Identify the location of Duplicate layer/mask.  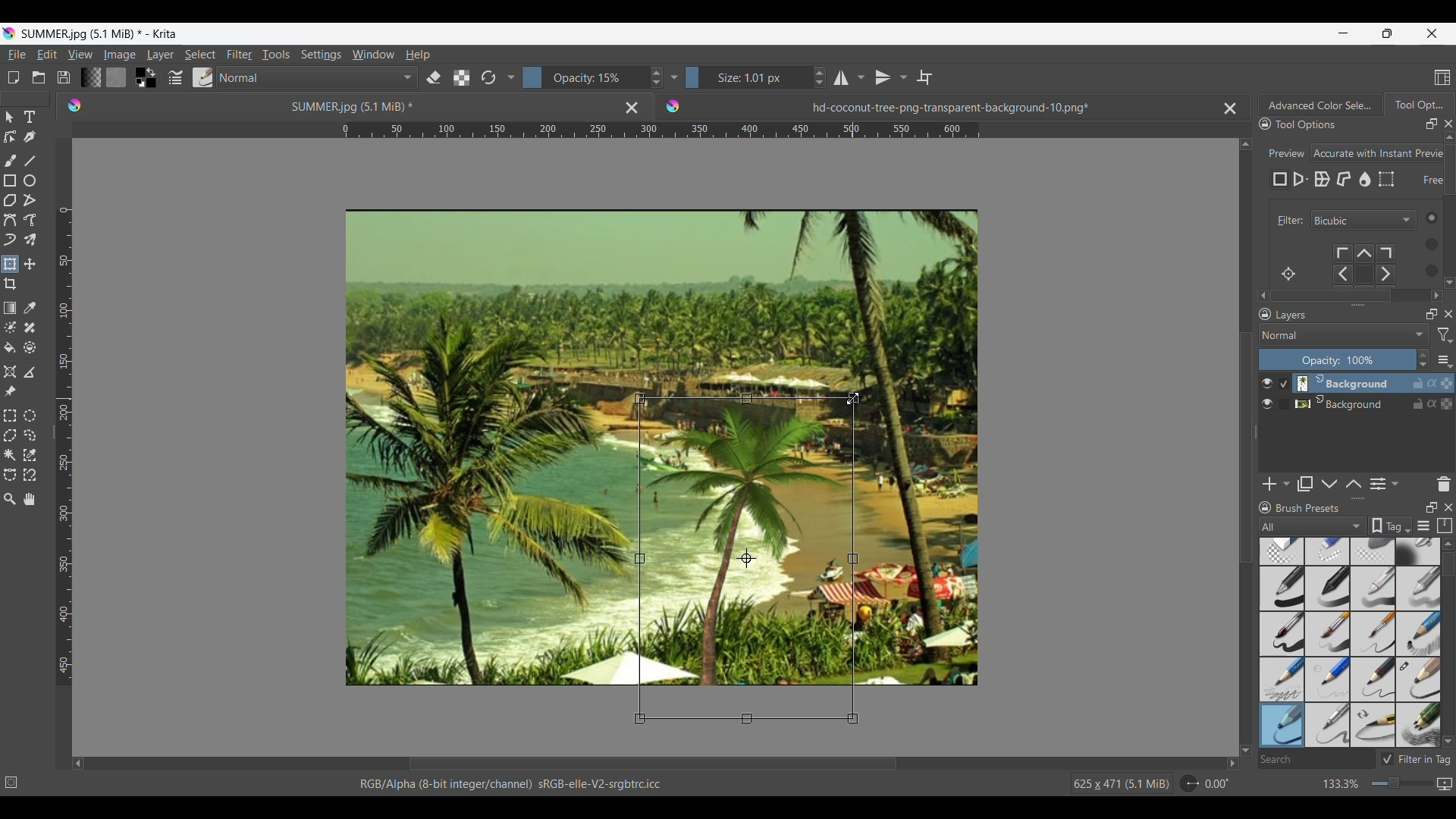
(1305, 484).